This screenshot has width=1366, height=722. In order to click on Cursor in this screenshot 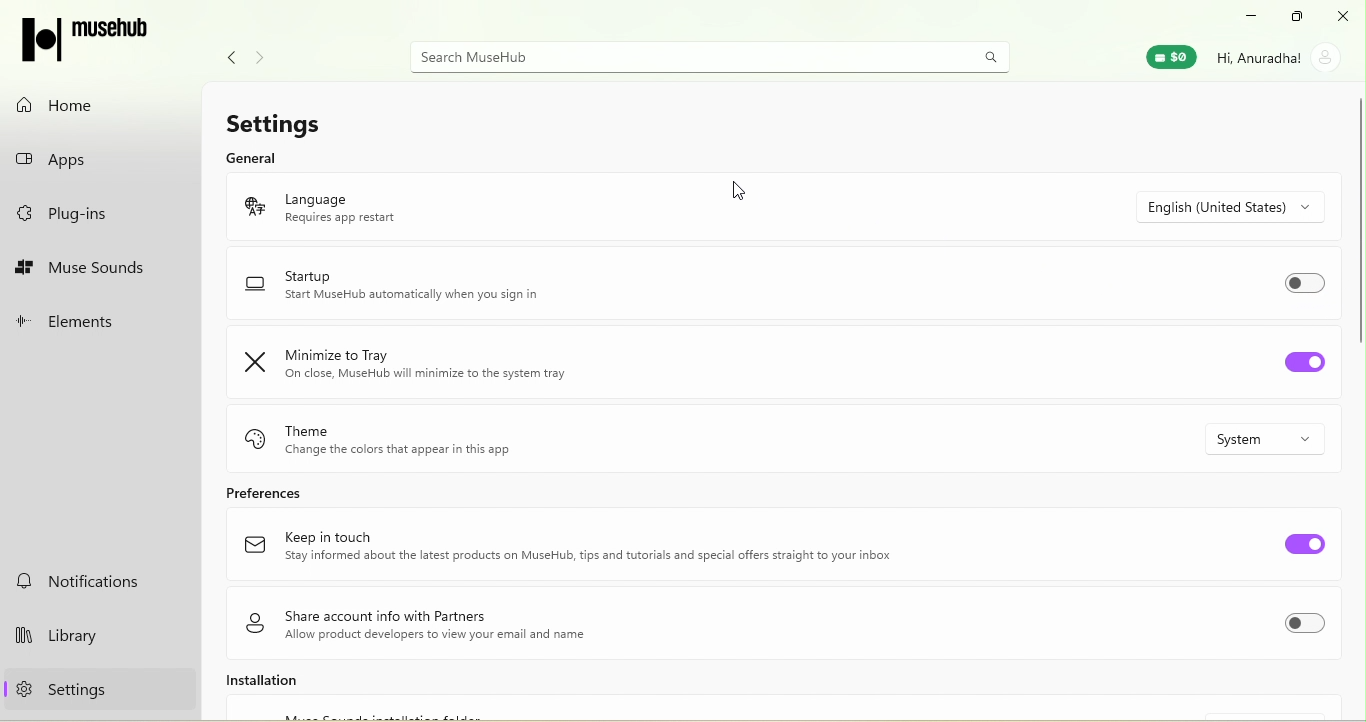, I will do `click(741, 188)`.